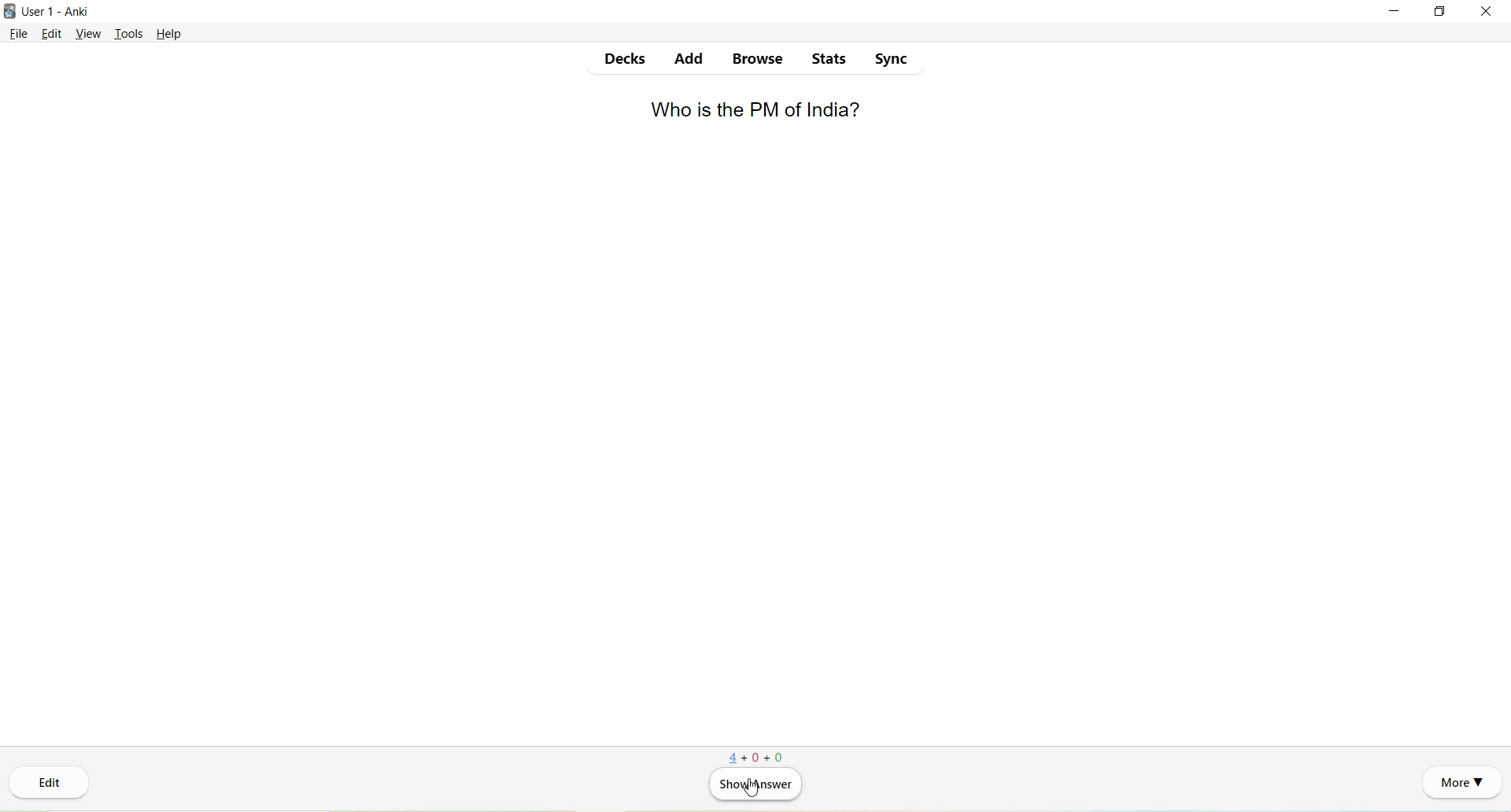  Describe the element at coordinates (1437, 13) in the screenshot. I see `Maximize` at that location.